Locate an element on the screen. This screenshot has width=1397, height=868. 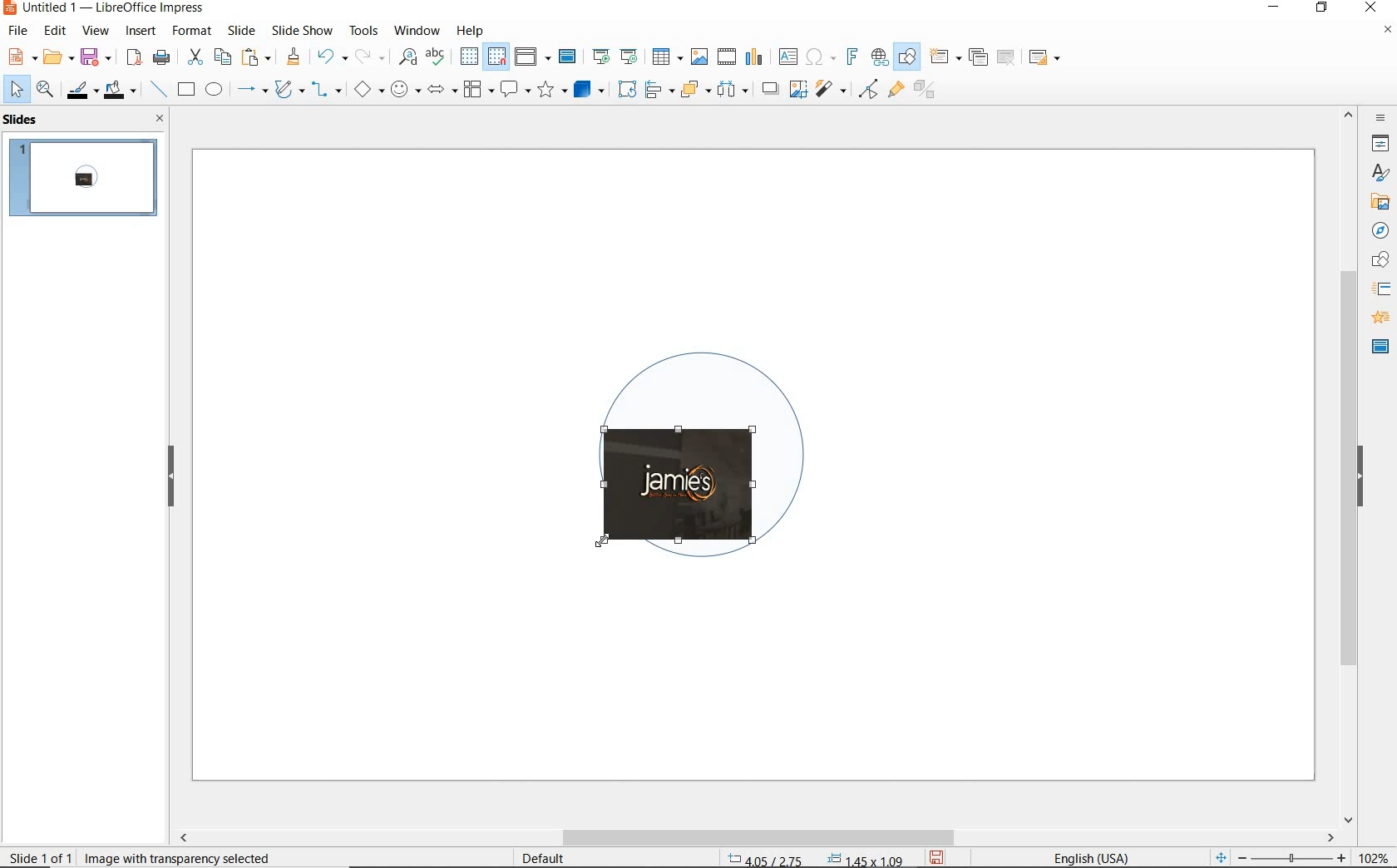
insert hyperlink is located at coordinates (880, 57).